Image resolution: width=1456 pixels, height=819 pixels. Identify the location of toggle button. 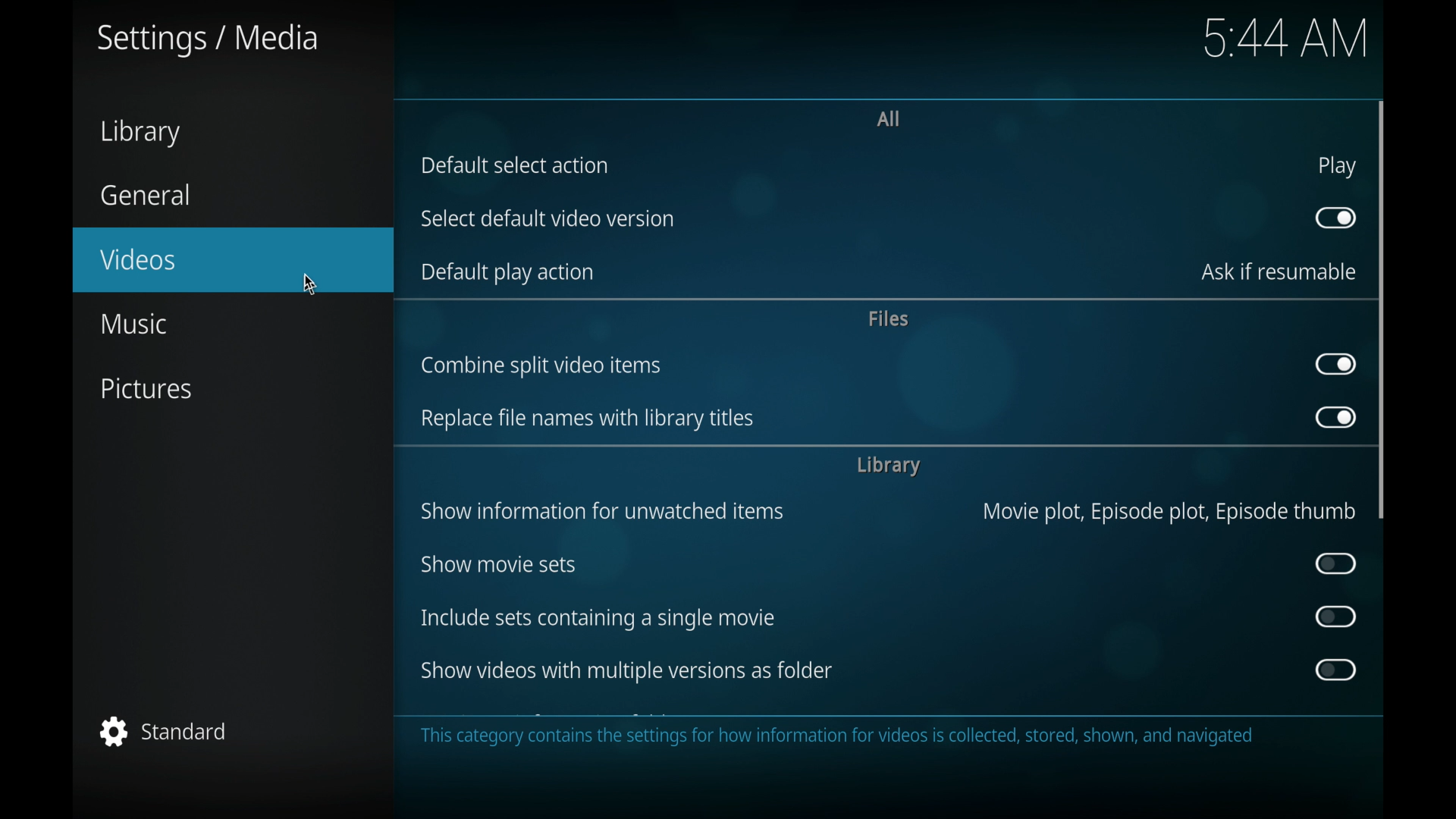
(1336, 617).